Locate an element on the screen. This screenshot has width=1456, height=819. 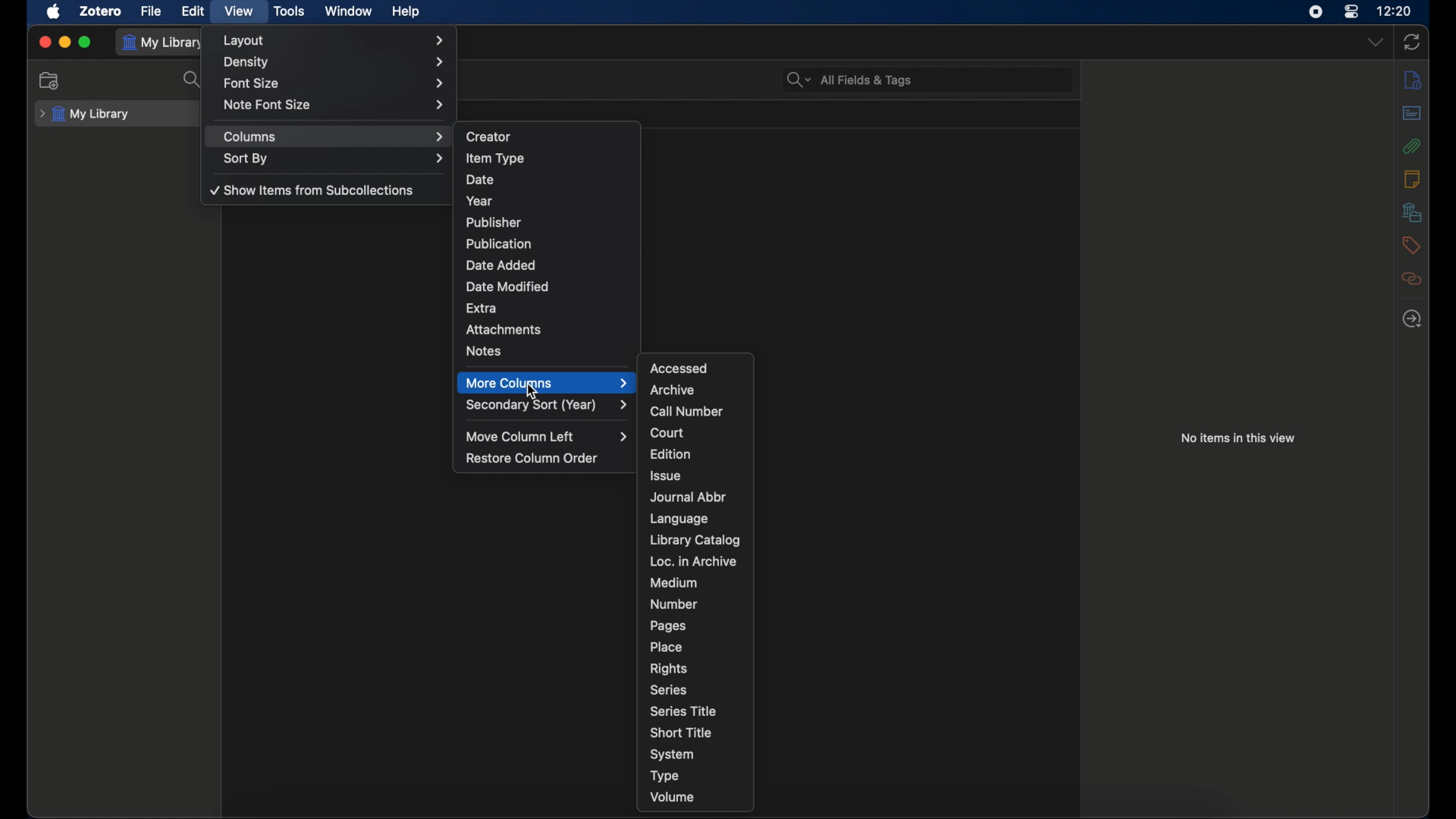
my library is located at coordinates (165, 43).